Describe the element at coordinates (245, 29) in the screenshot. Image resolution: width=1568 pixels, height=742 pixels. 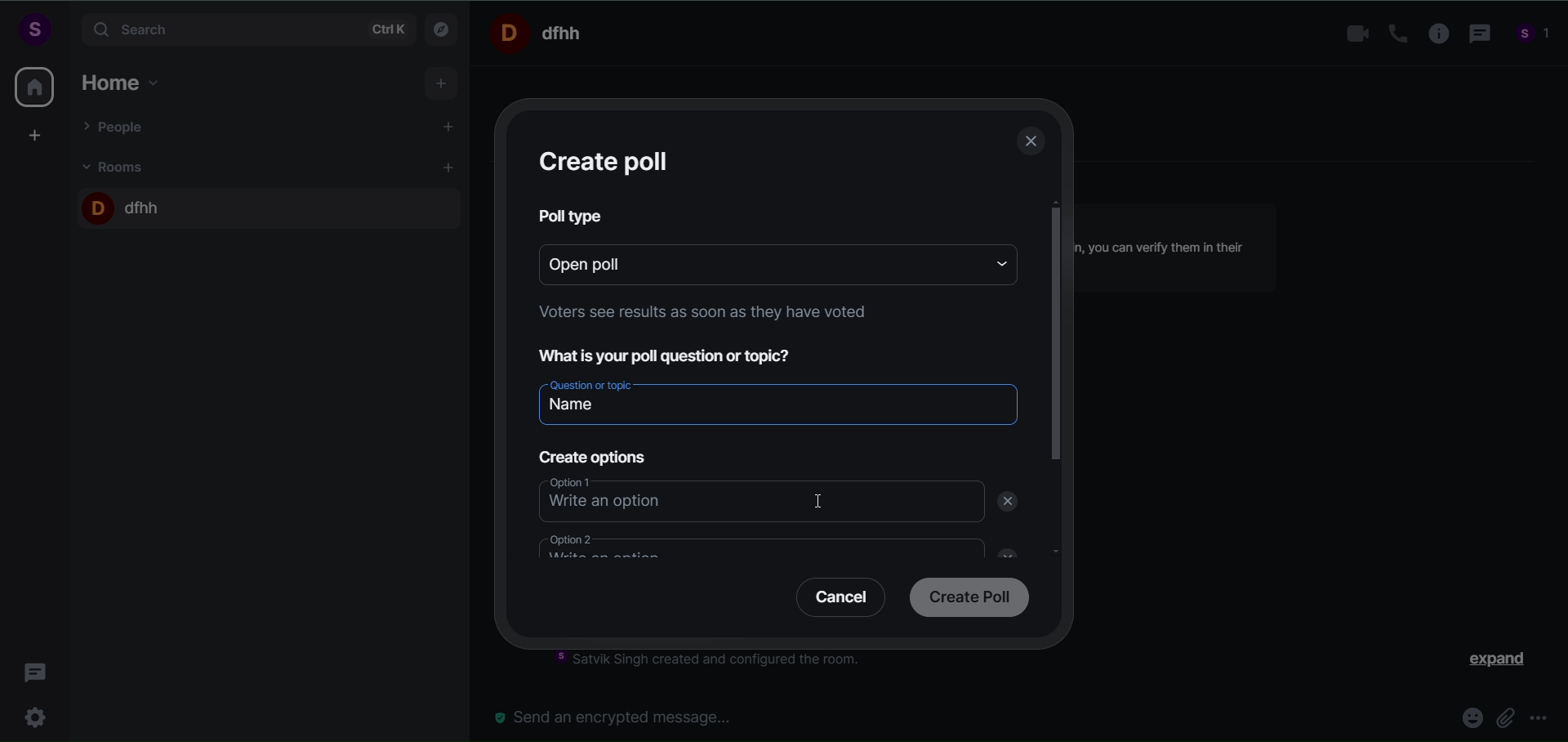
I see `search bar` at that location.